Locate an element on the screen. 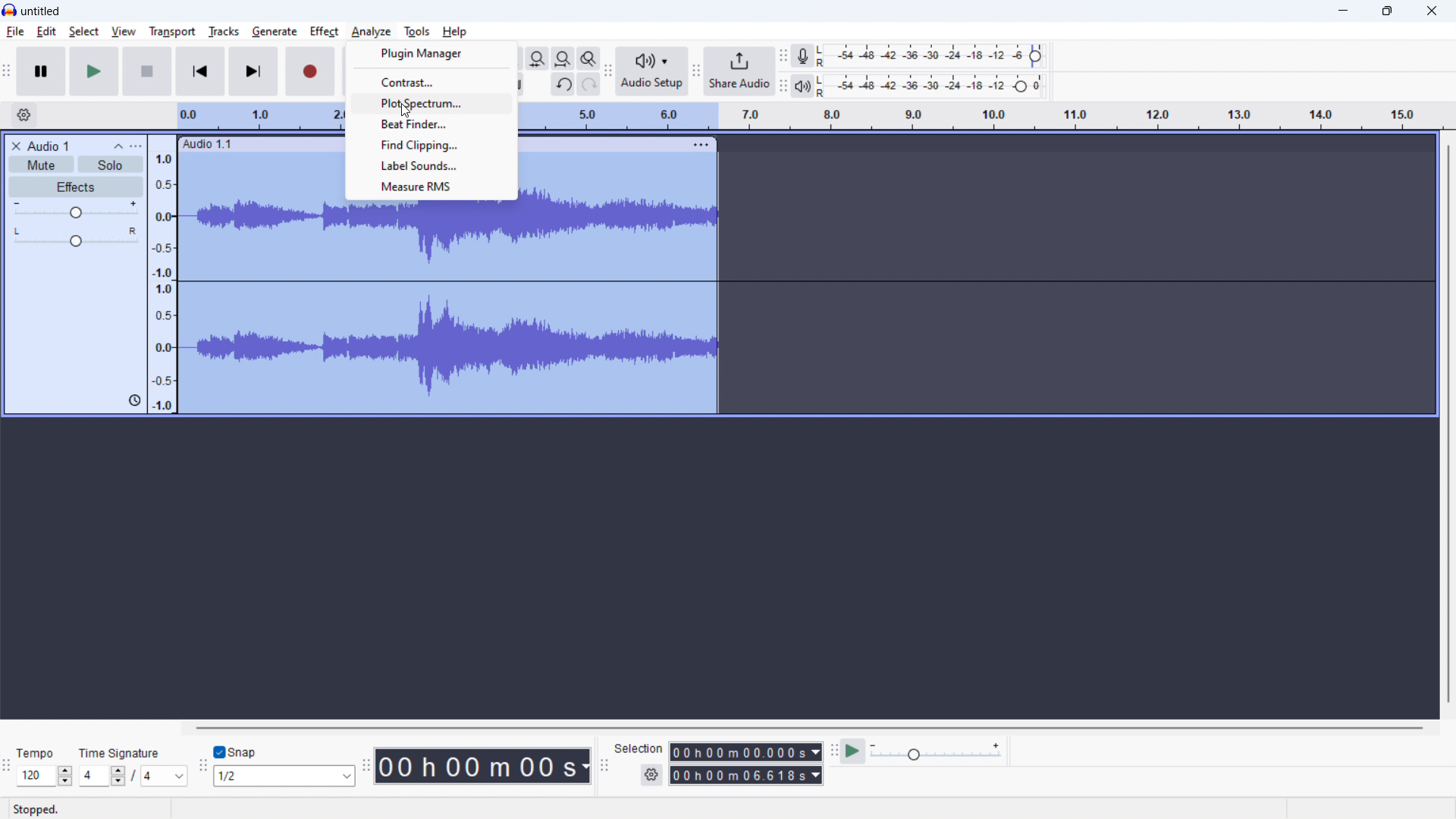 The height and width of the screenshot is (819, 1456). gain is located at coordinates (77, 209).